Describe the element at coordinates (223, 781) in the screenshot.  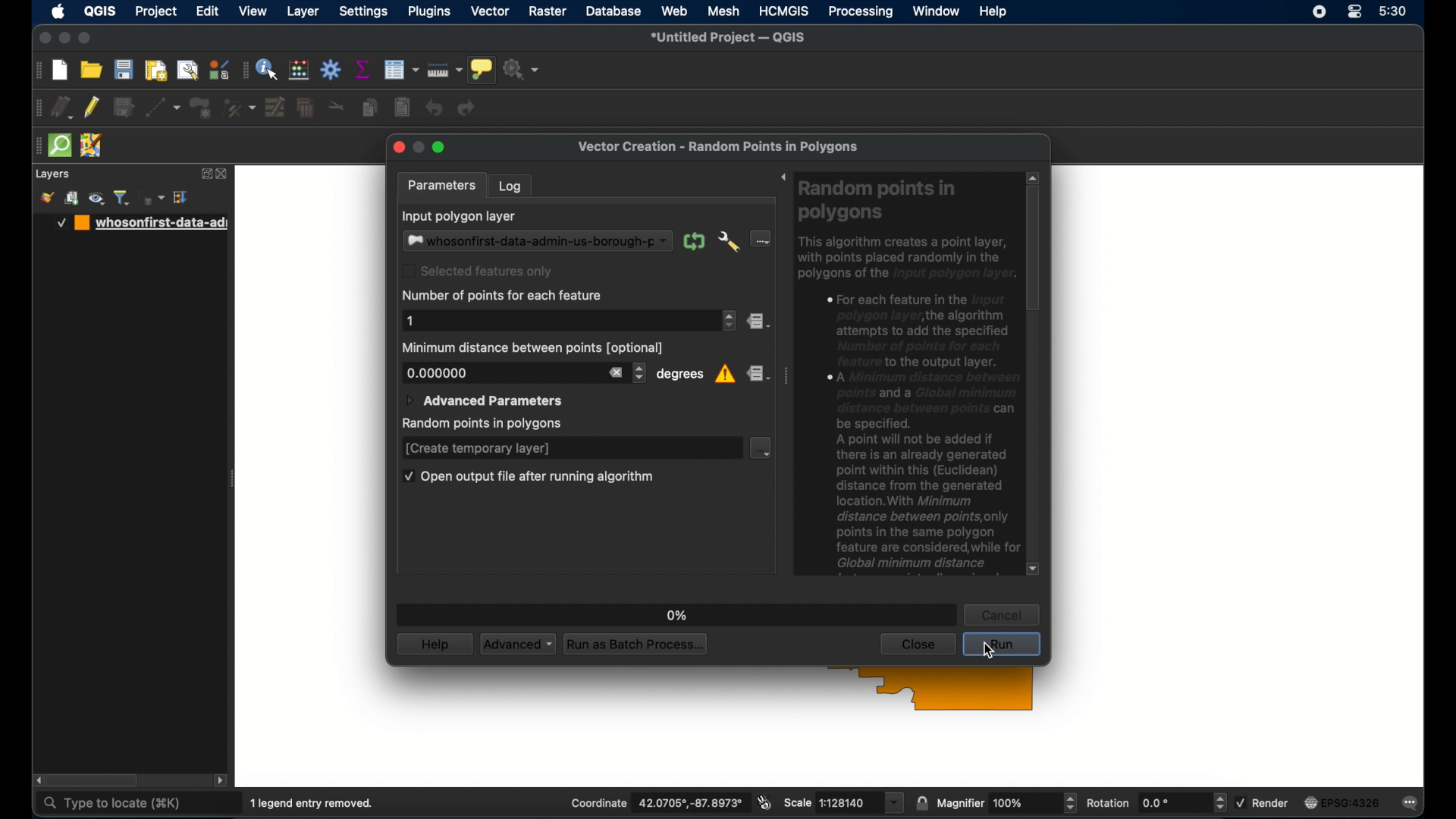
I see `scroll right arrow` at that location.